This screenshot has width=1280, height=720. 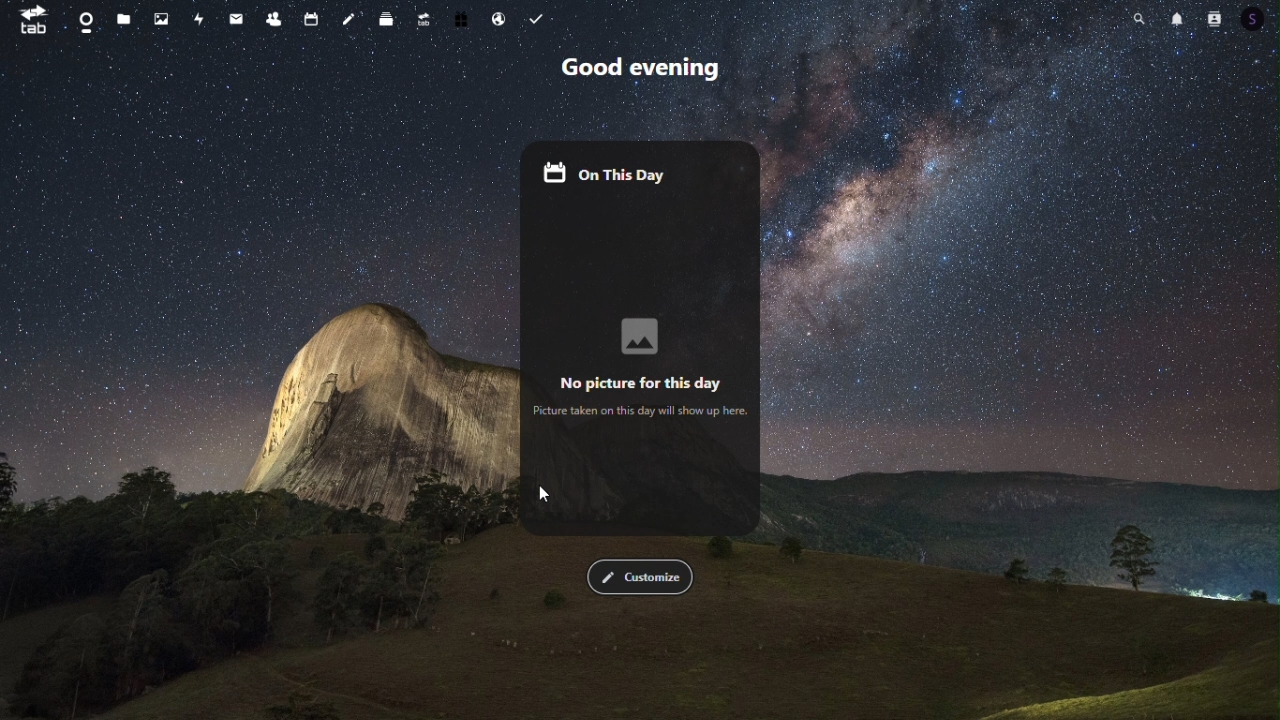 What do you see at coordinates (237, 17) in the screenshot?
I see `mail` at bounding box center [237, 17].